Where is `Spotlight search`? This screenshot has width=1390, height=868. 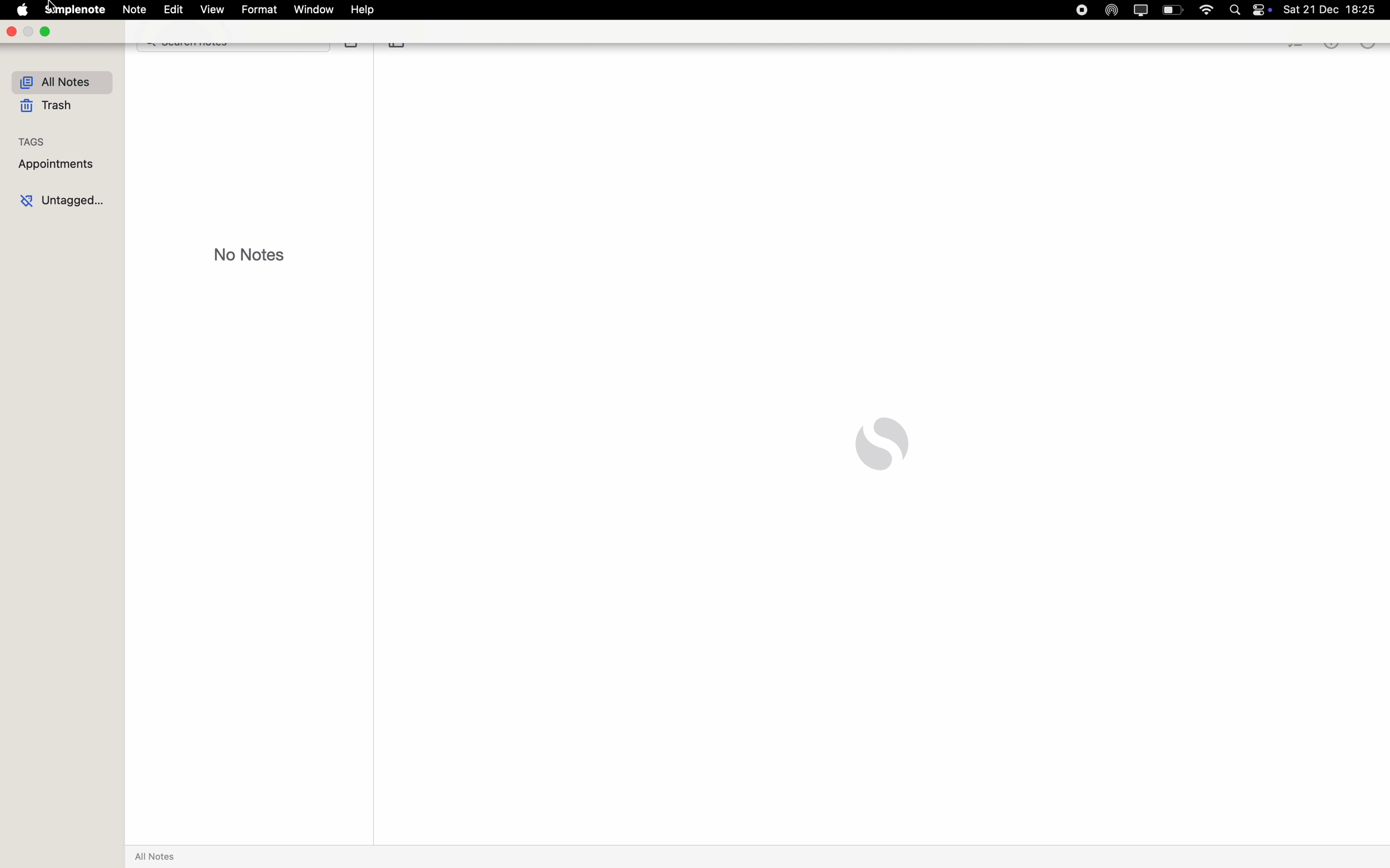 Spotlight search is located at coordinates (1233, 11).